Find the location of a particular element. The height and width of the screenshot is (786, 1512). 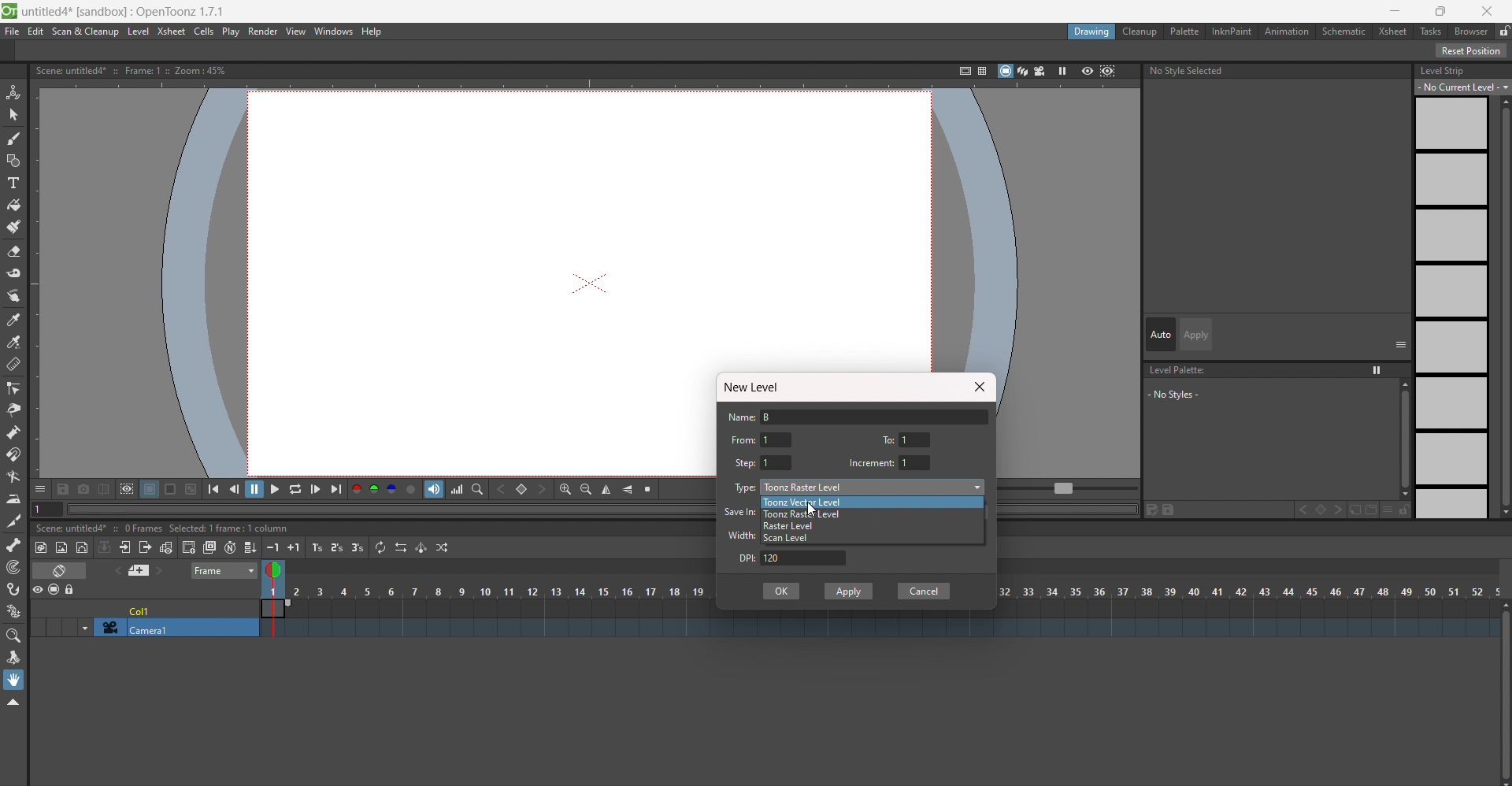

magnet tool is located at coordinates (14, 454).